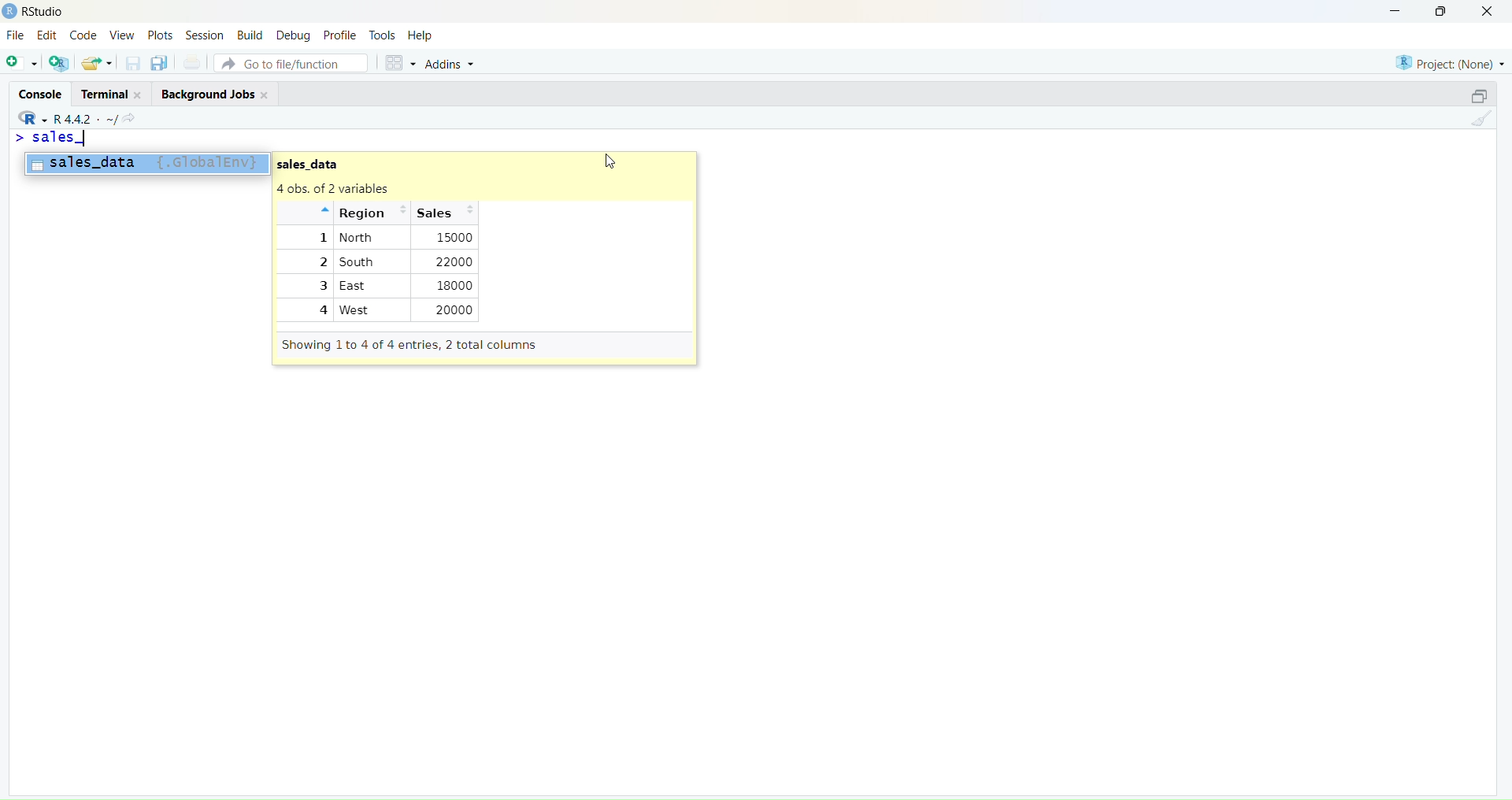 The width and height of the screenshot is (1512, 800). What do you see at coordinates (1450, 61) in the screenshot?
I see `Project: (None)` at bounding box center [1450, 61].